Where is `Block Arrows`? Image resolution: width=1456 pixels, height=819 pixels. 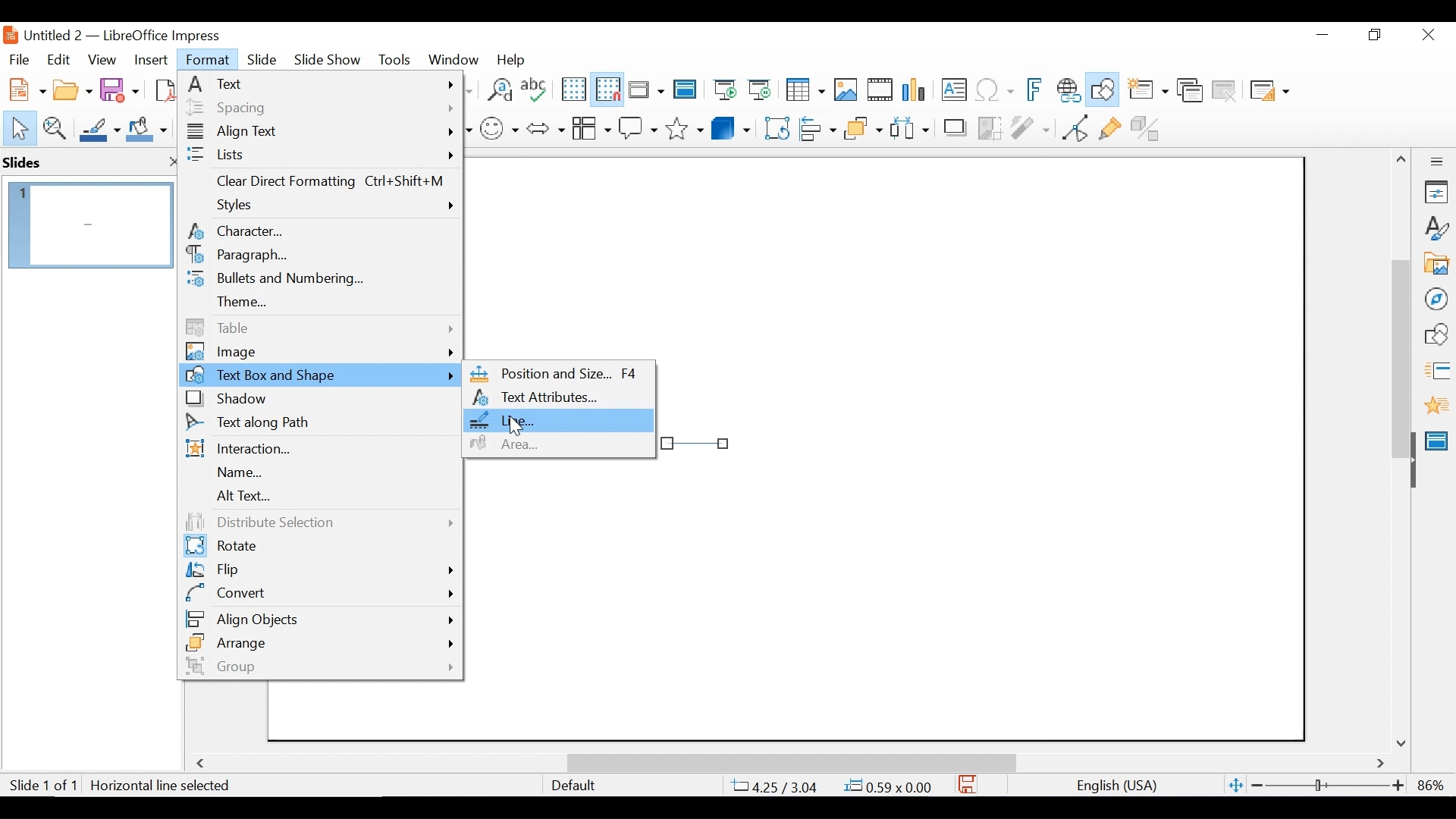 Block Arrows is located at coordinates (544, 127).